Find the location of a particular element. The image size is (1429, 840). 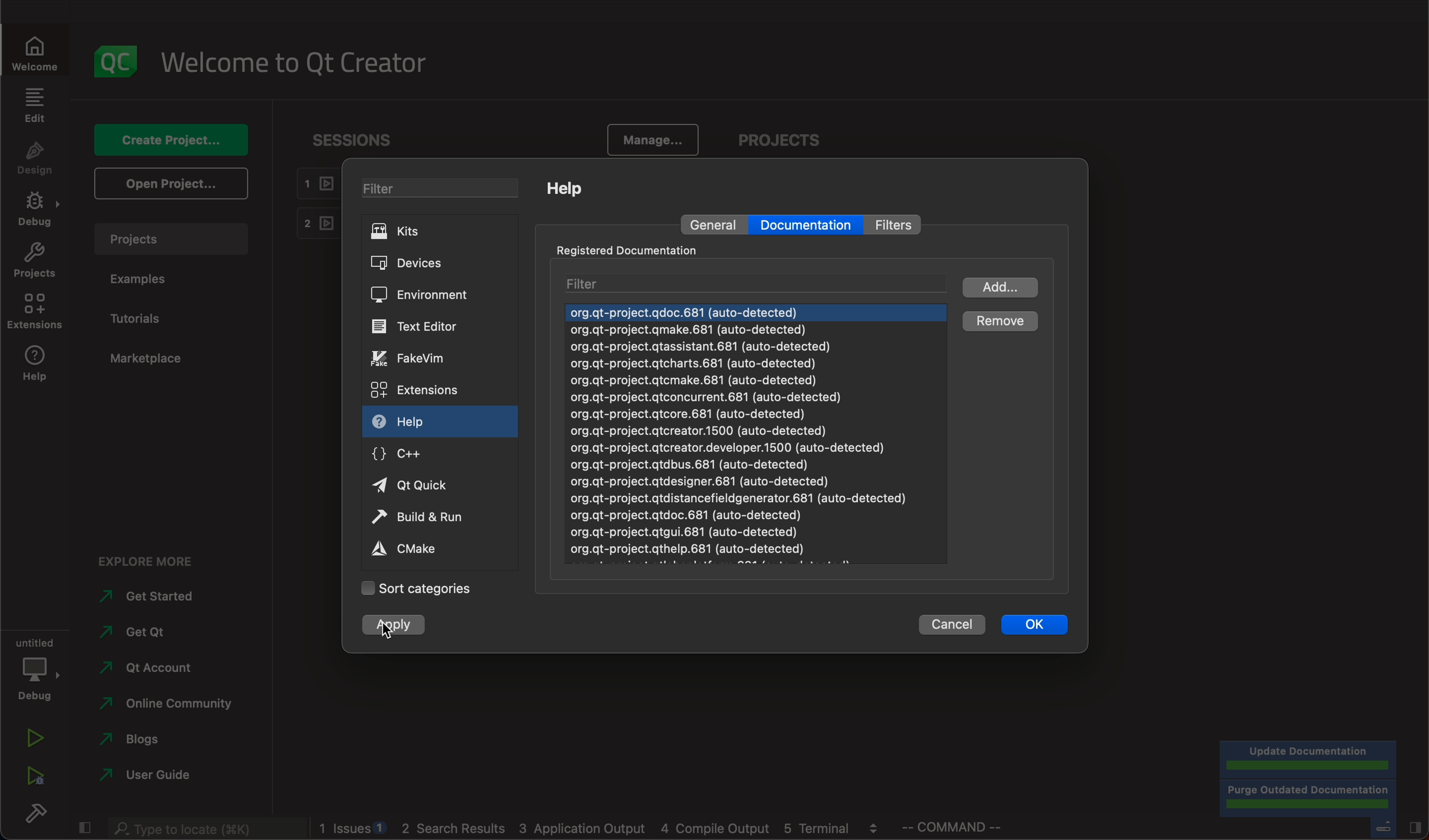

categories is located at coordinates (420, 590).